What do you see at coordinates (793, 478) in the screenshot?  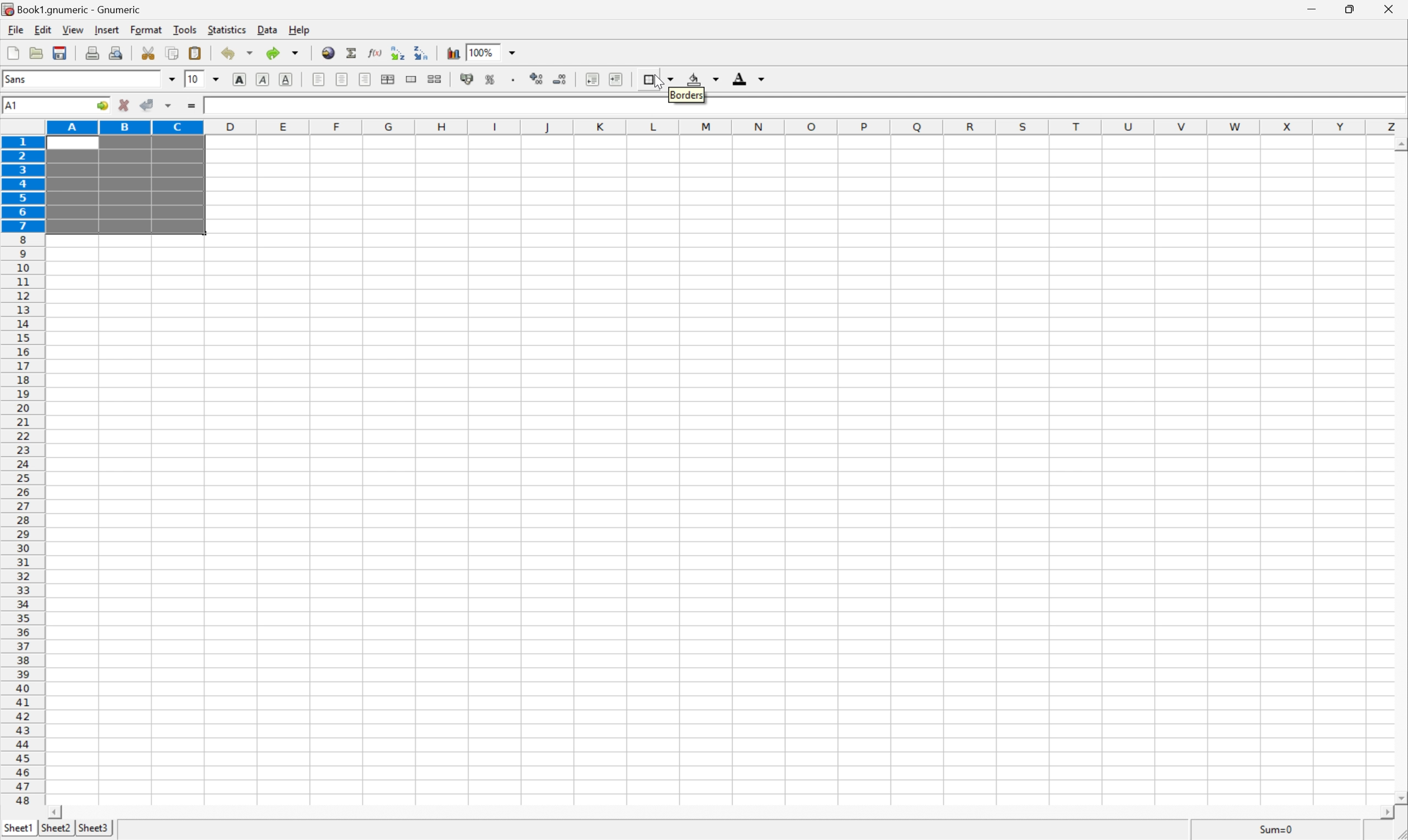 I see `Cells` at bounding box center [793, 478].